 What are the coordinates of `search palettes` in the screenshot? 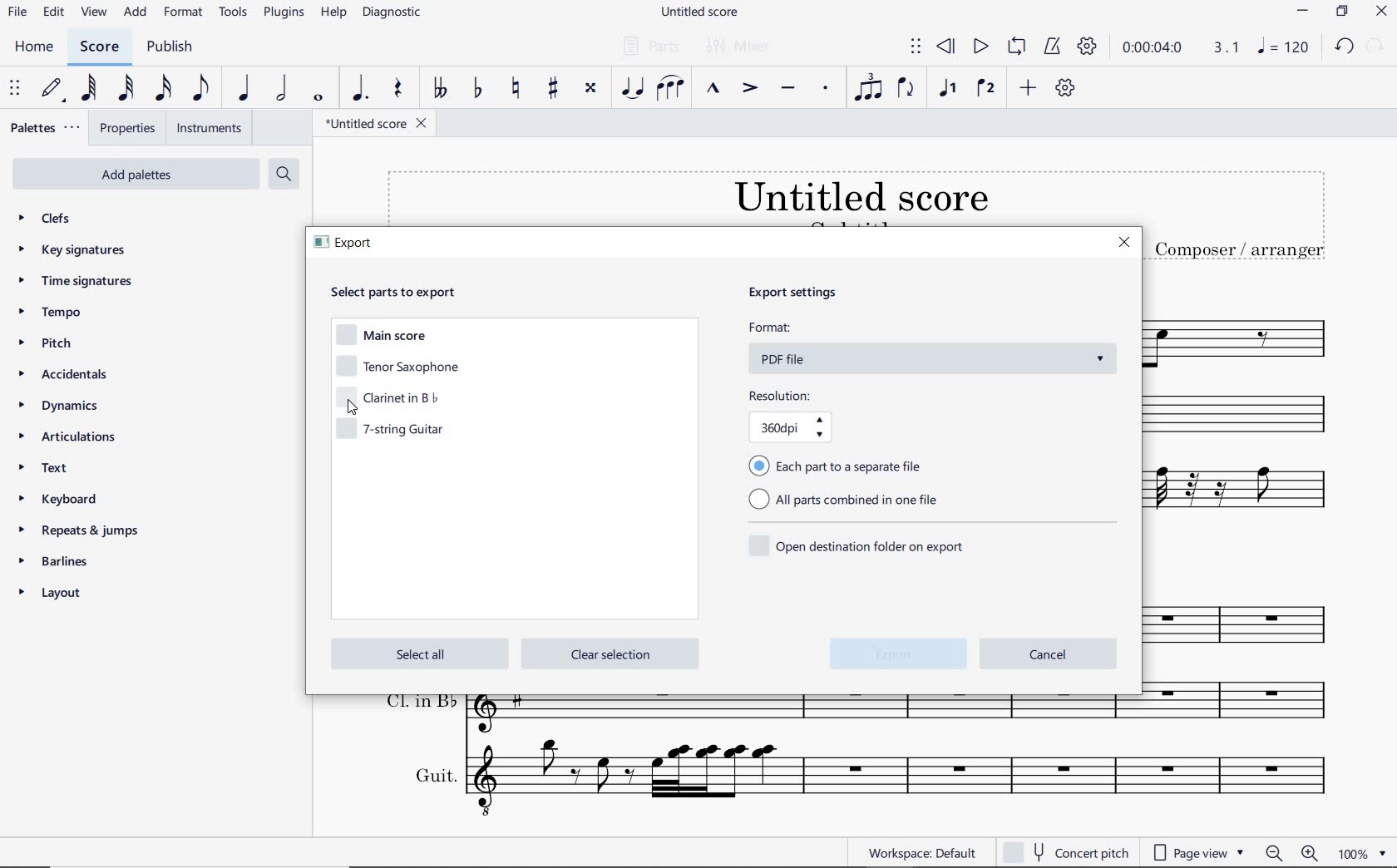 It's located at (283, 173).